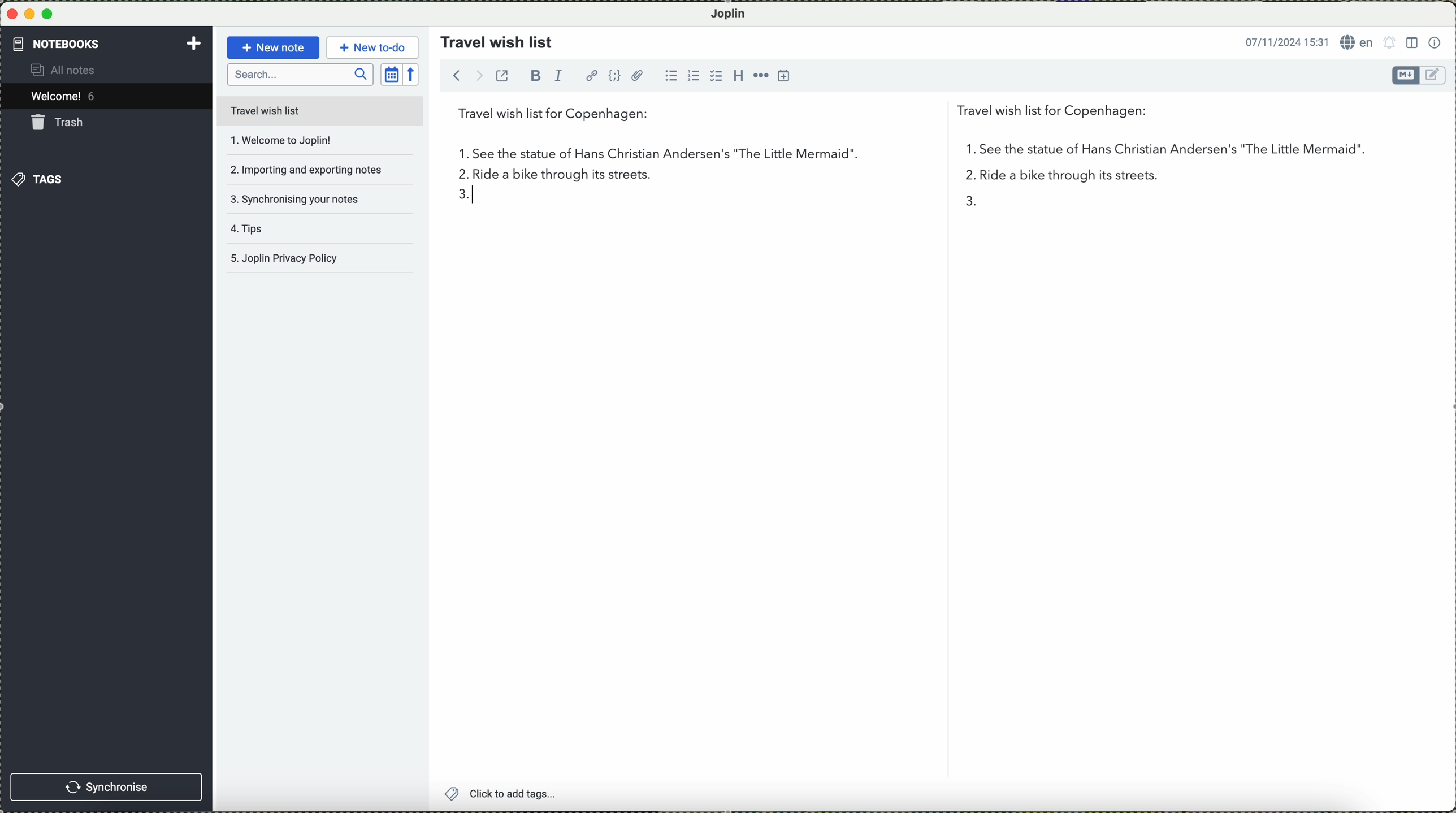 The width and height of the screenshot is (1456, 813). Describe the element at coordinates (736, 75) in the screenshot. I see `heading` at that location.